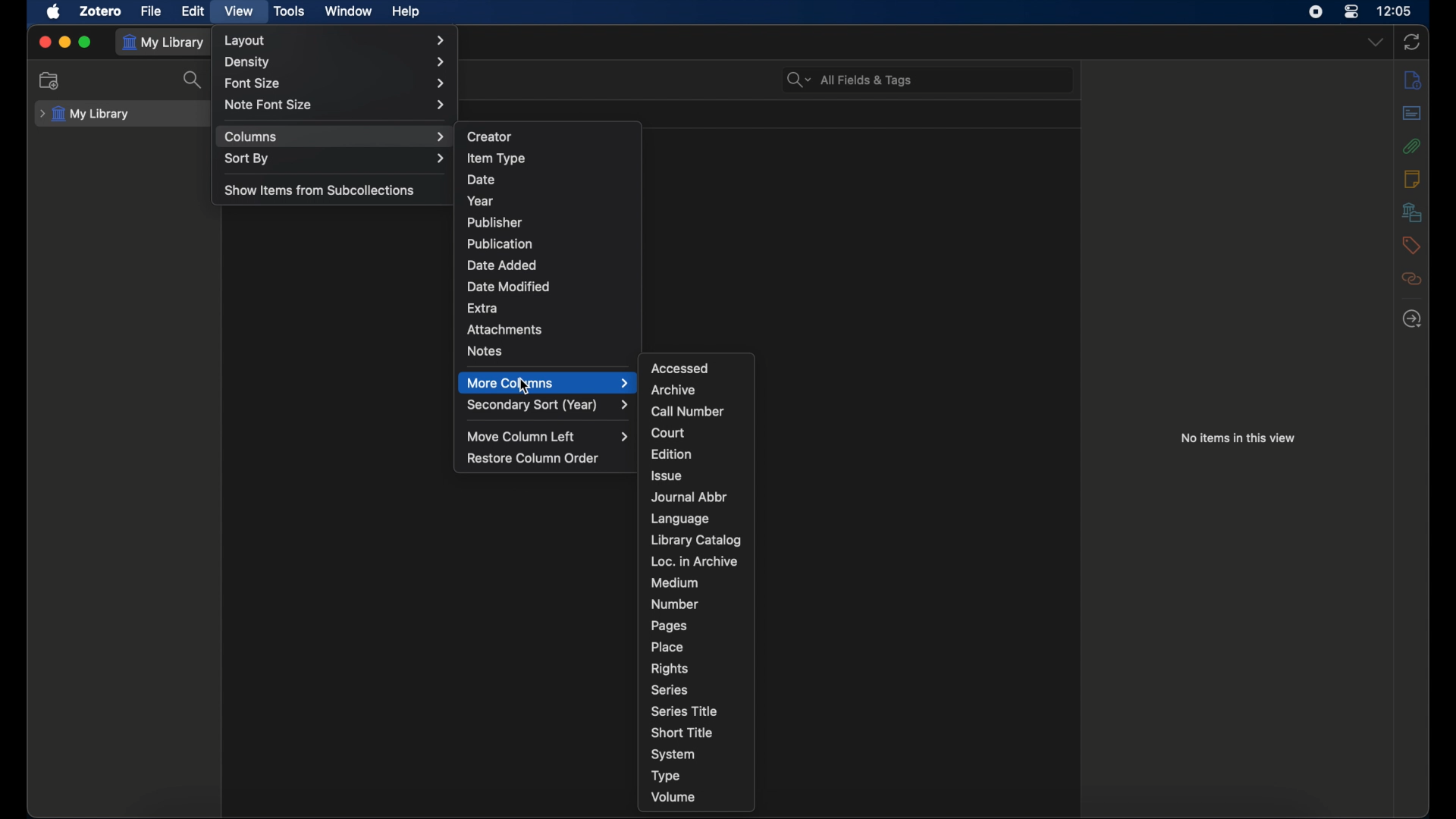  I want to click on issue, so click(666, 475).